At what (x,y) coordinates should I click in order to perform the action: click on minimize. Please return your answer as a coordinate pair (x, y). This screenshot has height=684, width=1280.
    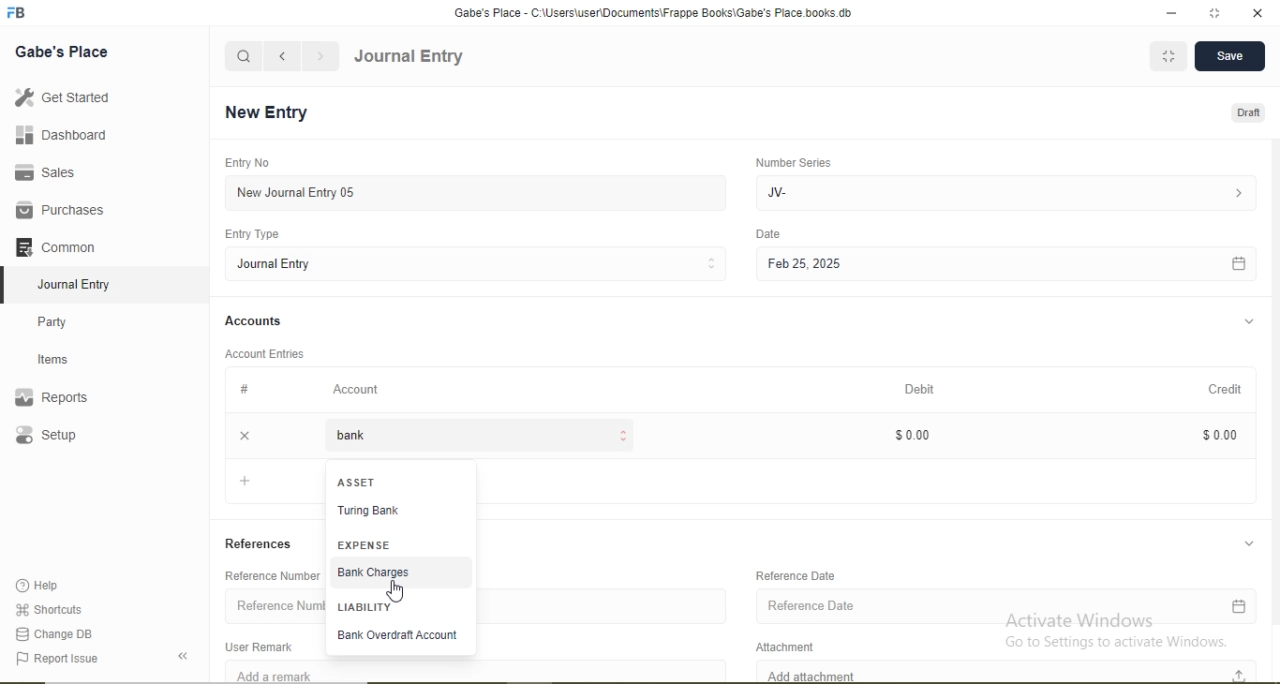
    Looking at the image, I should click on (1170, 14).